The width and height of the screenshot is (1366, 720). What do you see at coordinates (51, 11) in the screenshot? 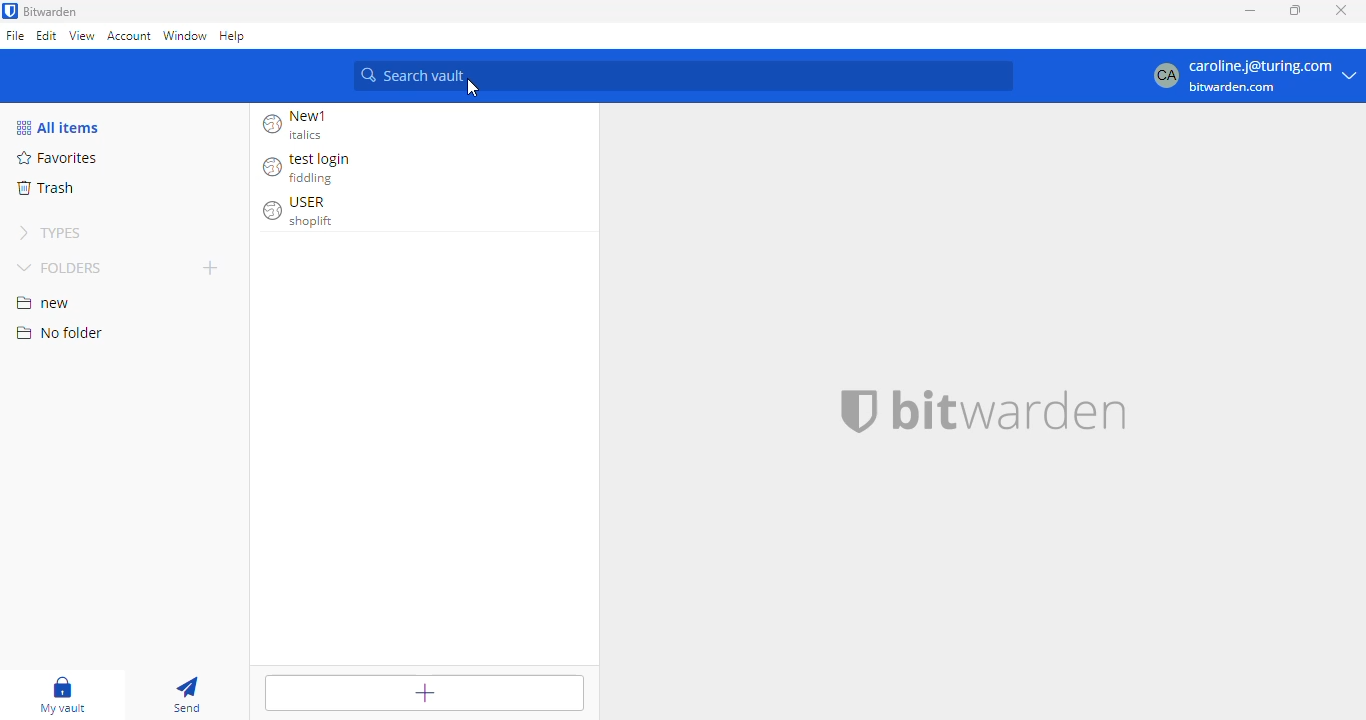
I see `bitwarden` at bounding box center [51, 11].